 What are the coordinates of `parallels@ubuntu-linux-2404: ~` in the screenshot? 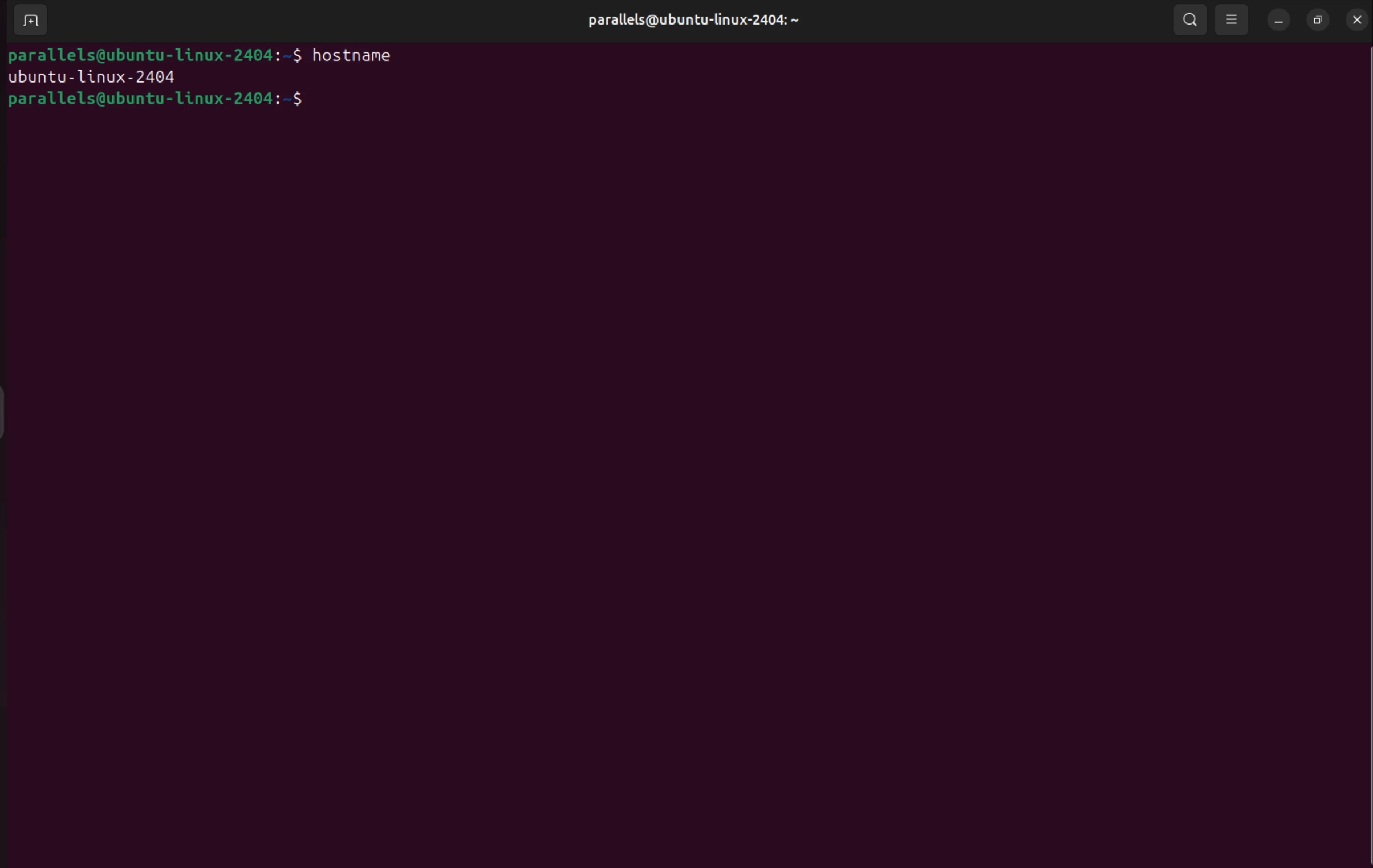 It's located at (700, 26).